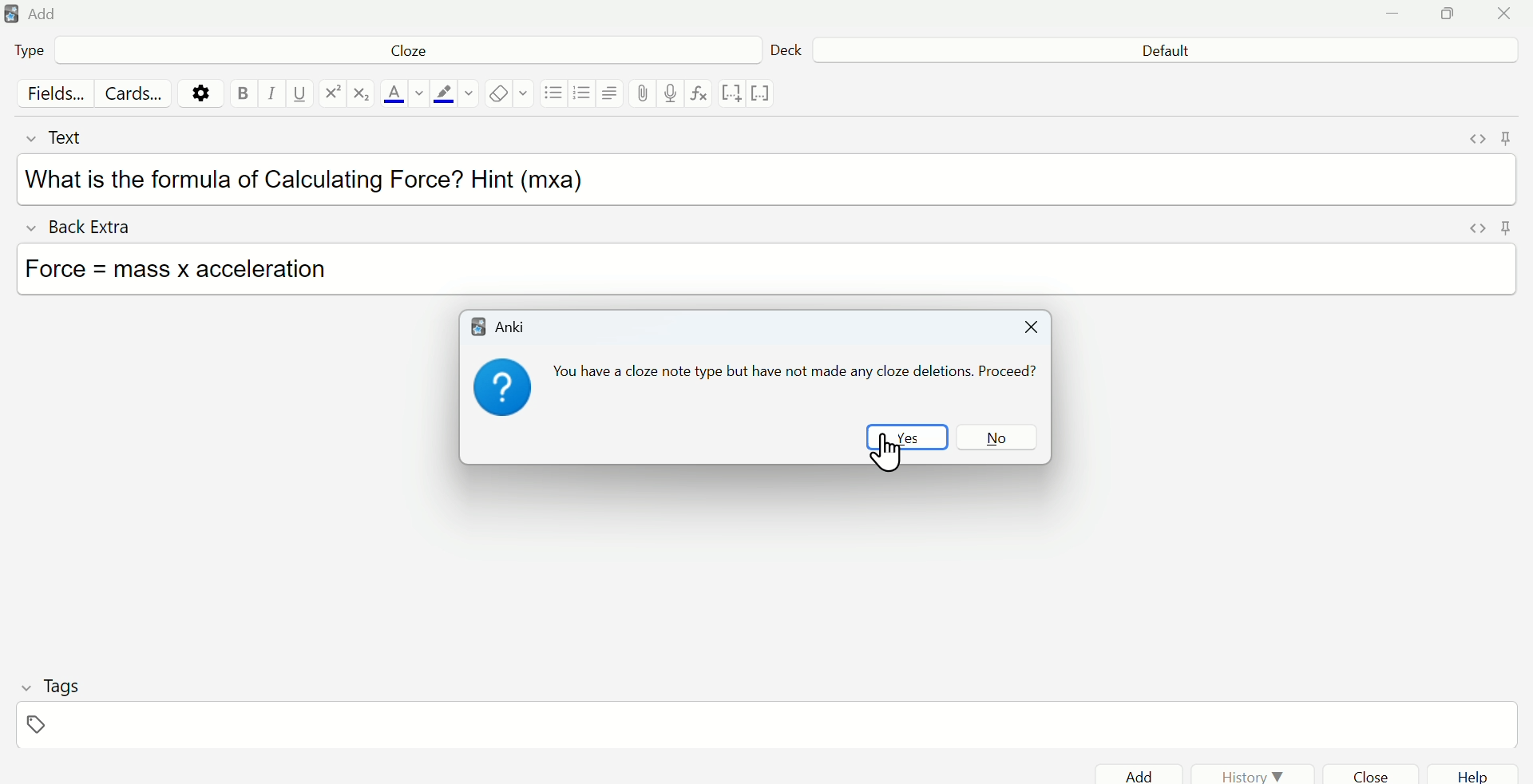  What do you see at coordinates (332, 94) in the screenshot?
I see `exponential` at bounding box center [332, 94].